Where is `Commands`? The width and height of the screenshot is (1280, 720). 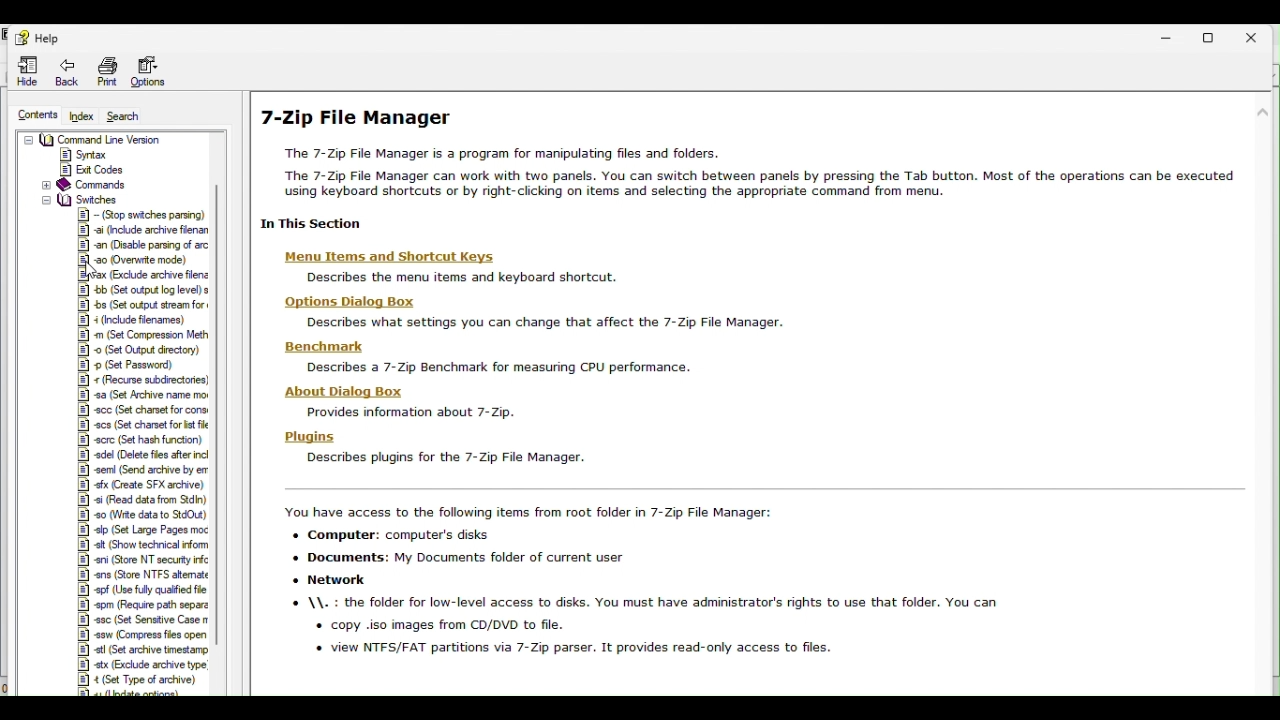 Commands is located at coordinates (114, 185).